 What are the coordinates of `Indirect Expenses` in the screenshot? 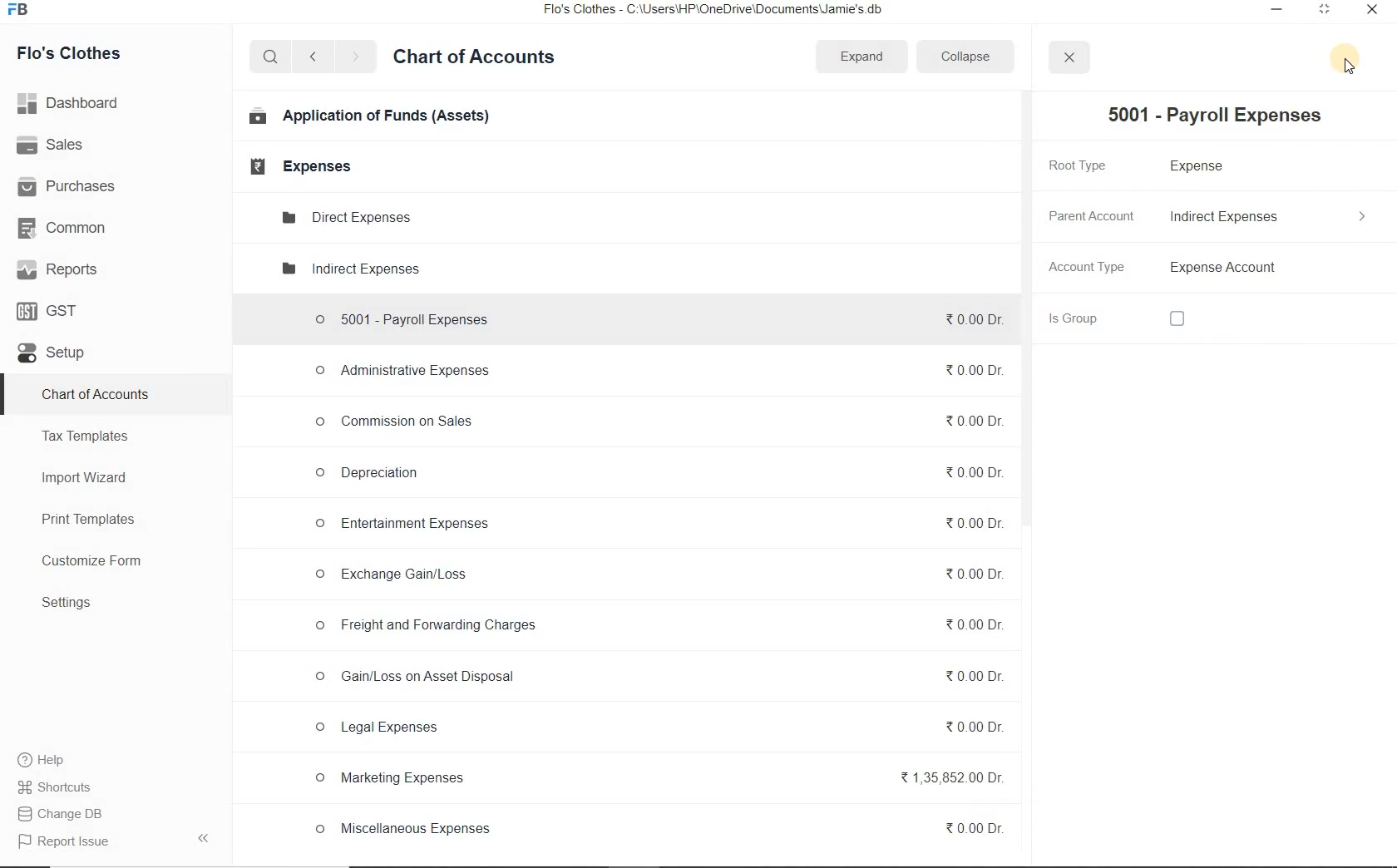 It's located at (1271, 217).